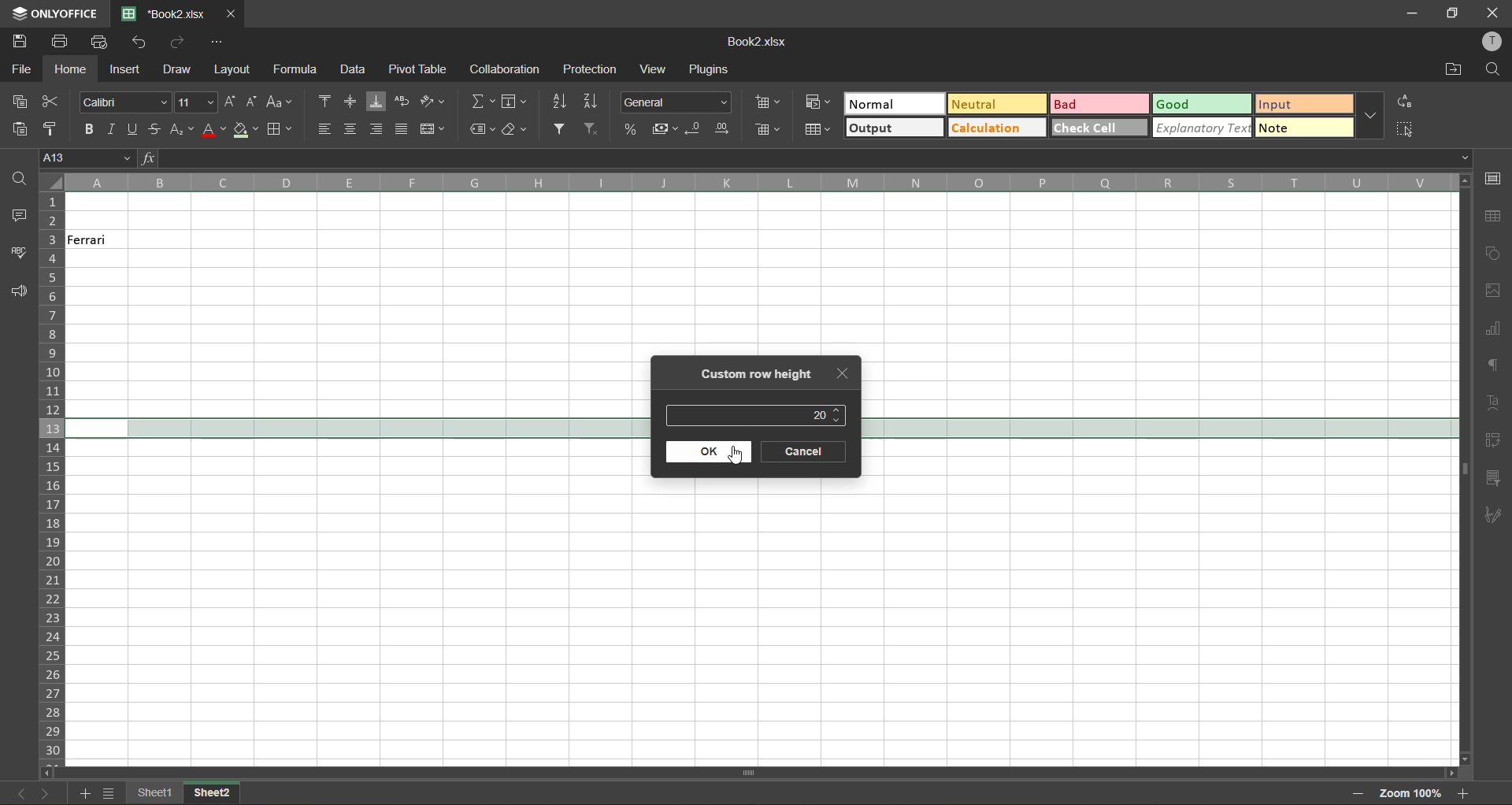  What do you see at coordinates (817, 102) in the screenshot?
I see `conditional formatting` at bounding box center [817, 102].